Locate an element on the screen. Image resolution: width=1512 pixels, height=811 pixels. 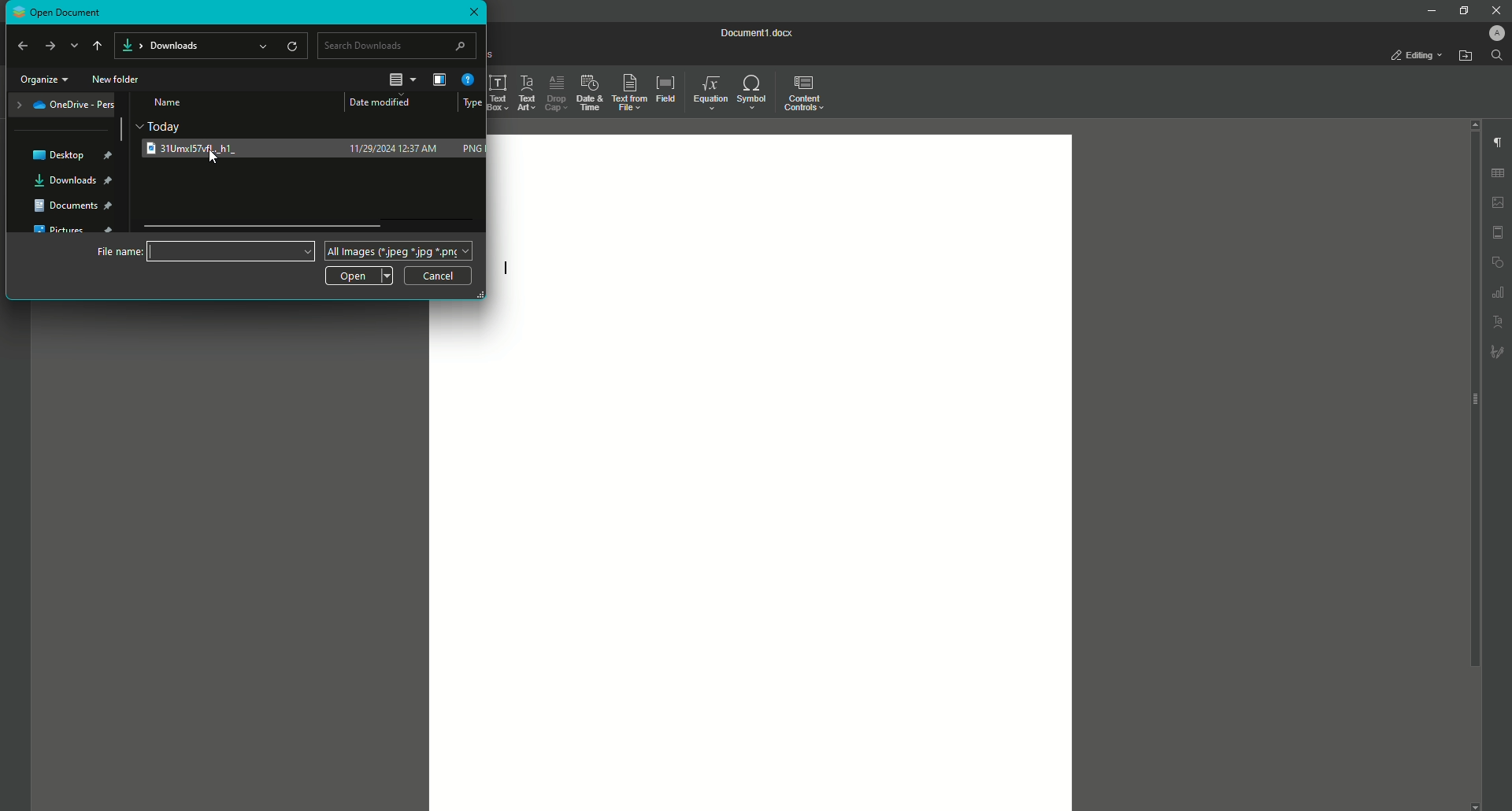
Symbol is located at coordinates (753, 92).